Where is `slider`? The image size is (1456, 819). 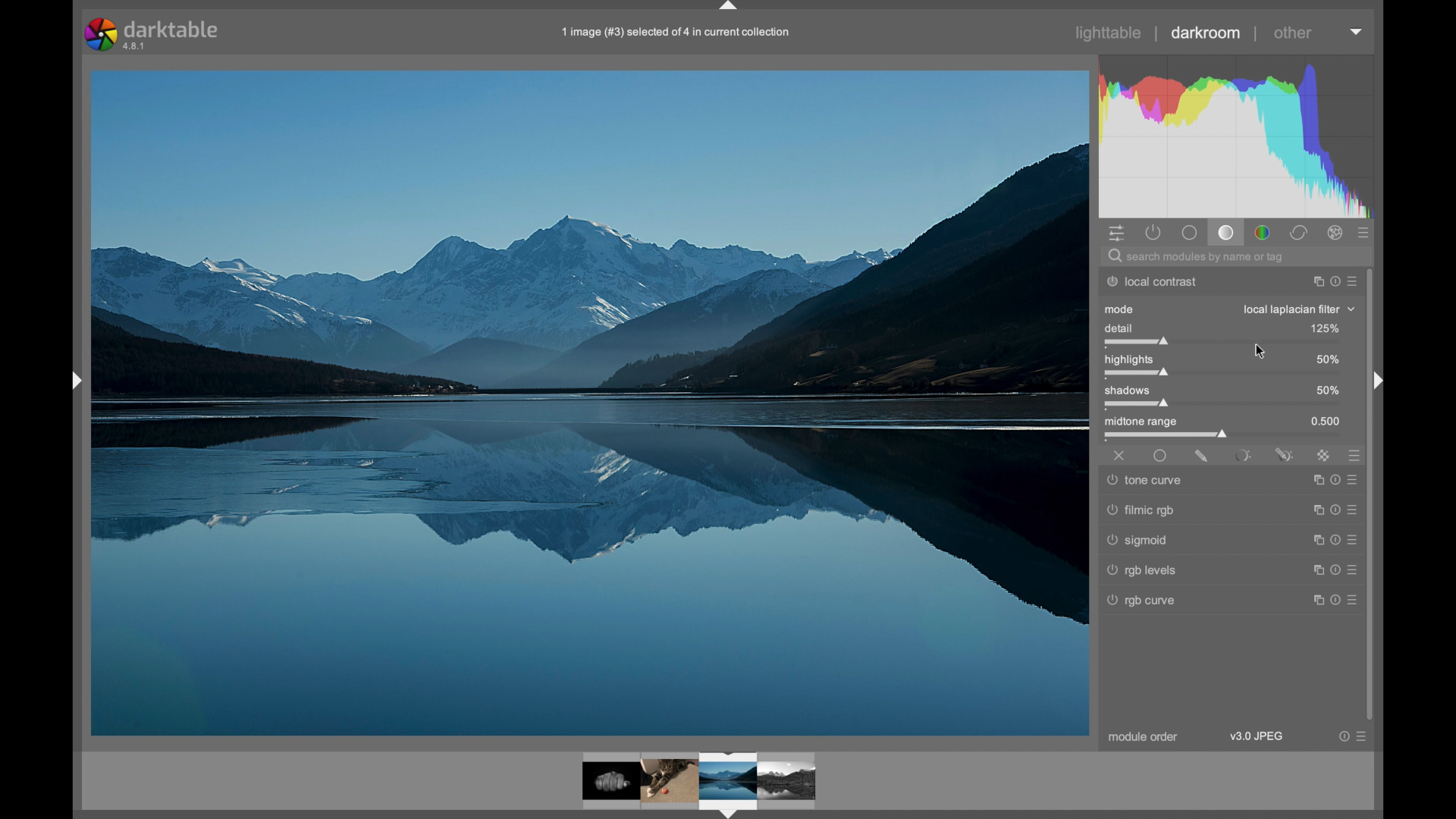
slider is located at coordinates (1137, 403).